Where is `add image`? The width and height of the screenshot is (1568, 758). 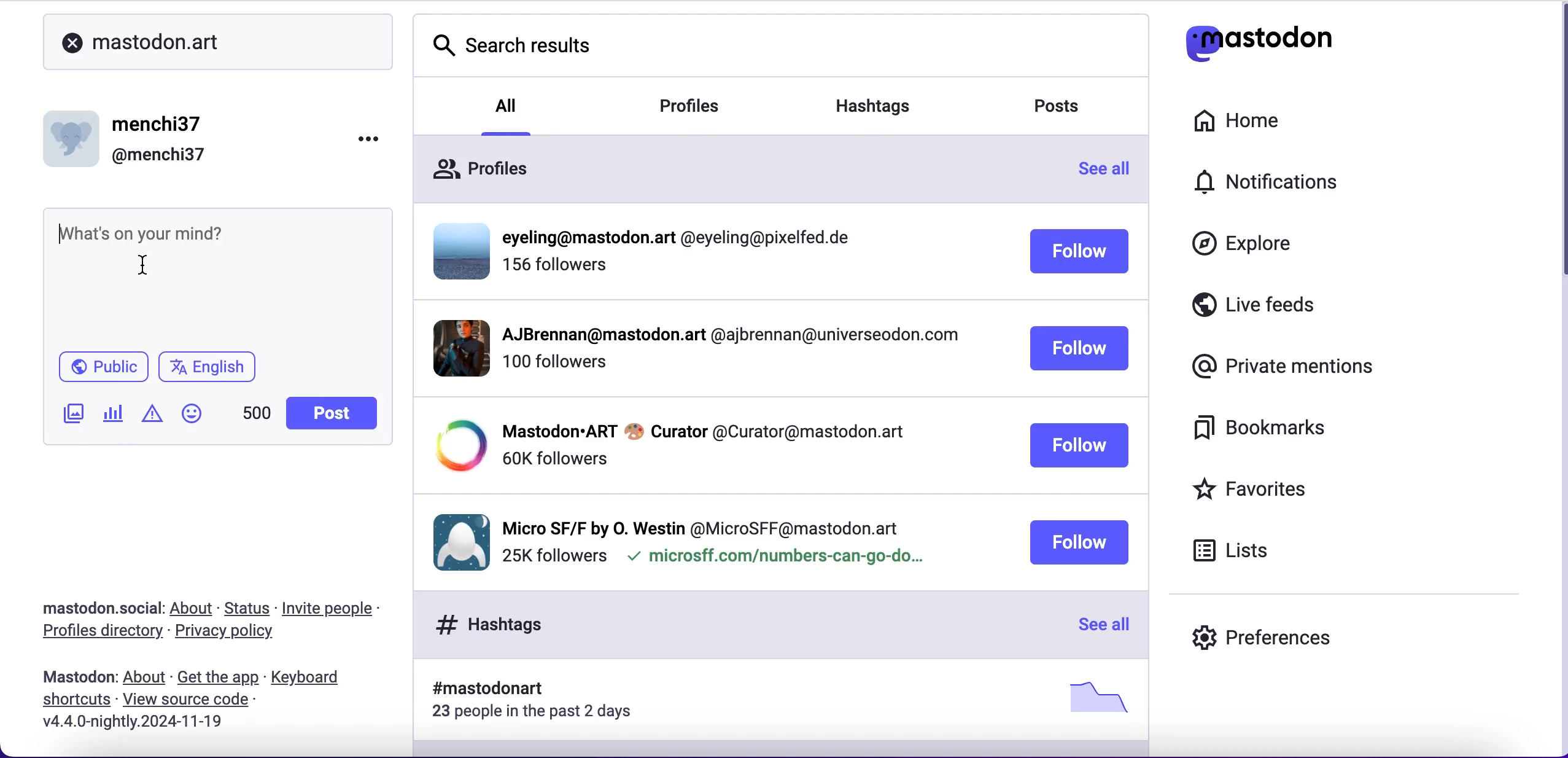 add image is located at coordinates (71, 414).